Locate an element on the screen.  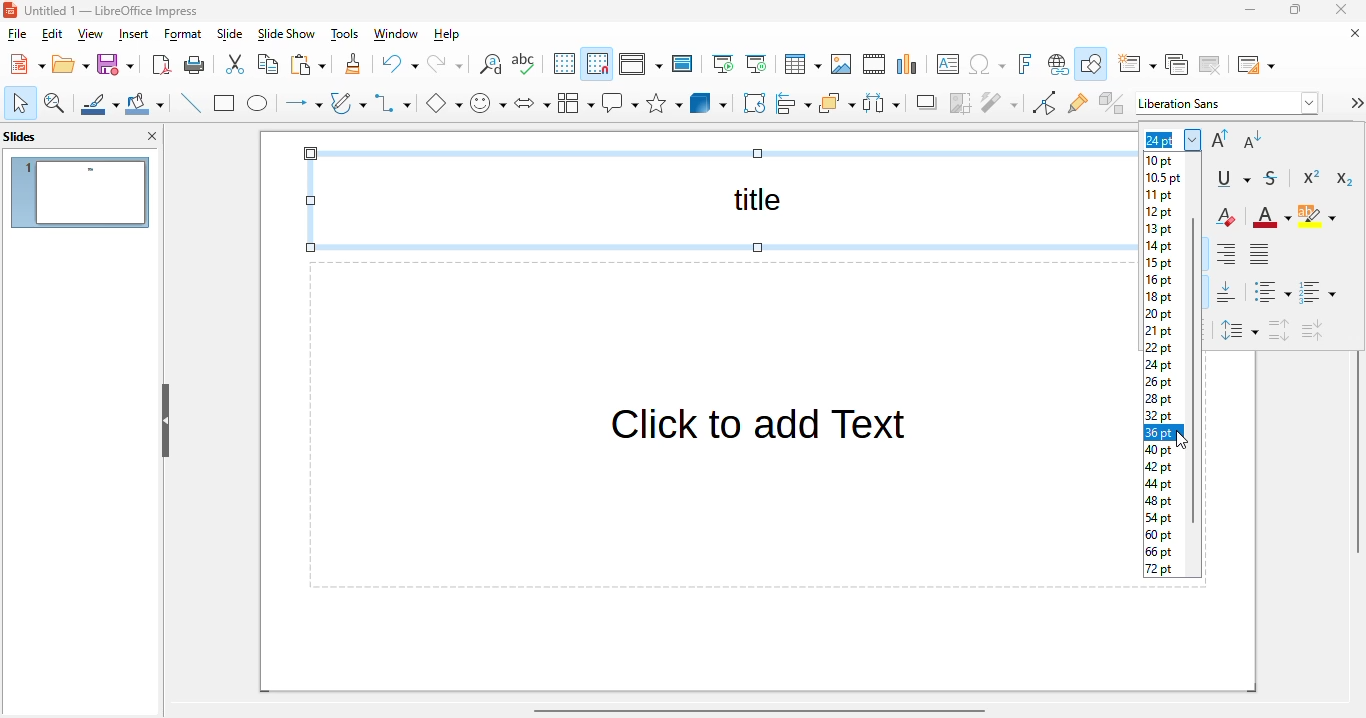
24 pt is located at coordinates (1159, 366).